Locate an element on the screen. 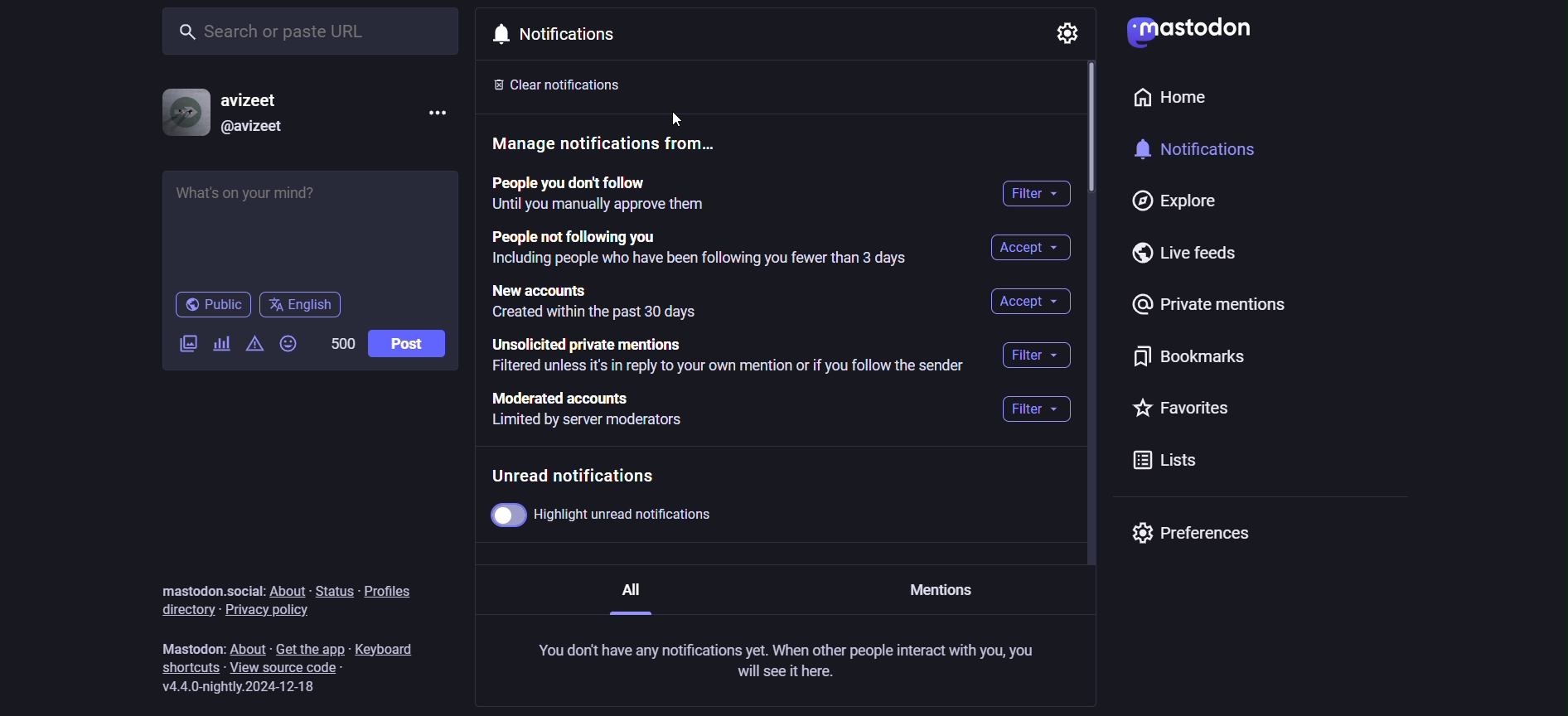 The image size is (1568, 716). text is located at coordinates (191, 650).